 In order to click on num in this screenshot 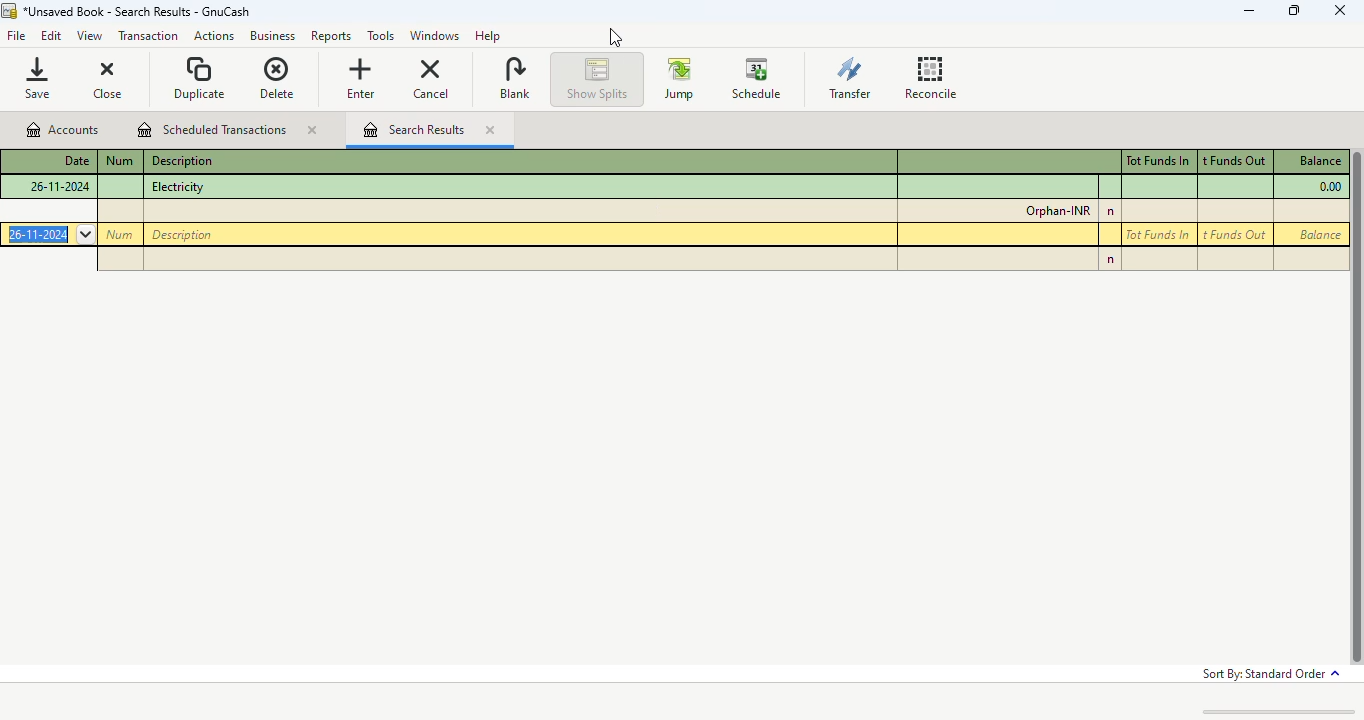, I will do `click(120, 234)`.